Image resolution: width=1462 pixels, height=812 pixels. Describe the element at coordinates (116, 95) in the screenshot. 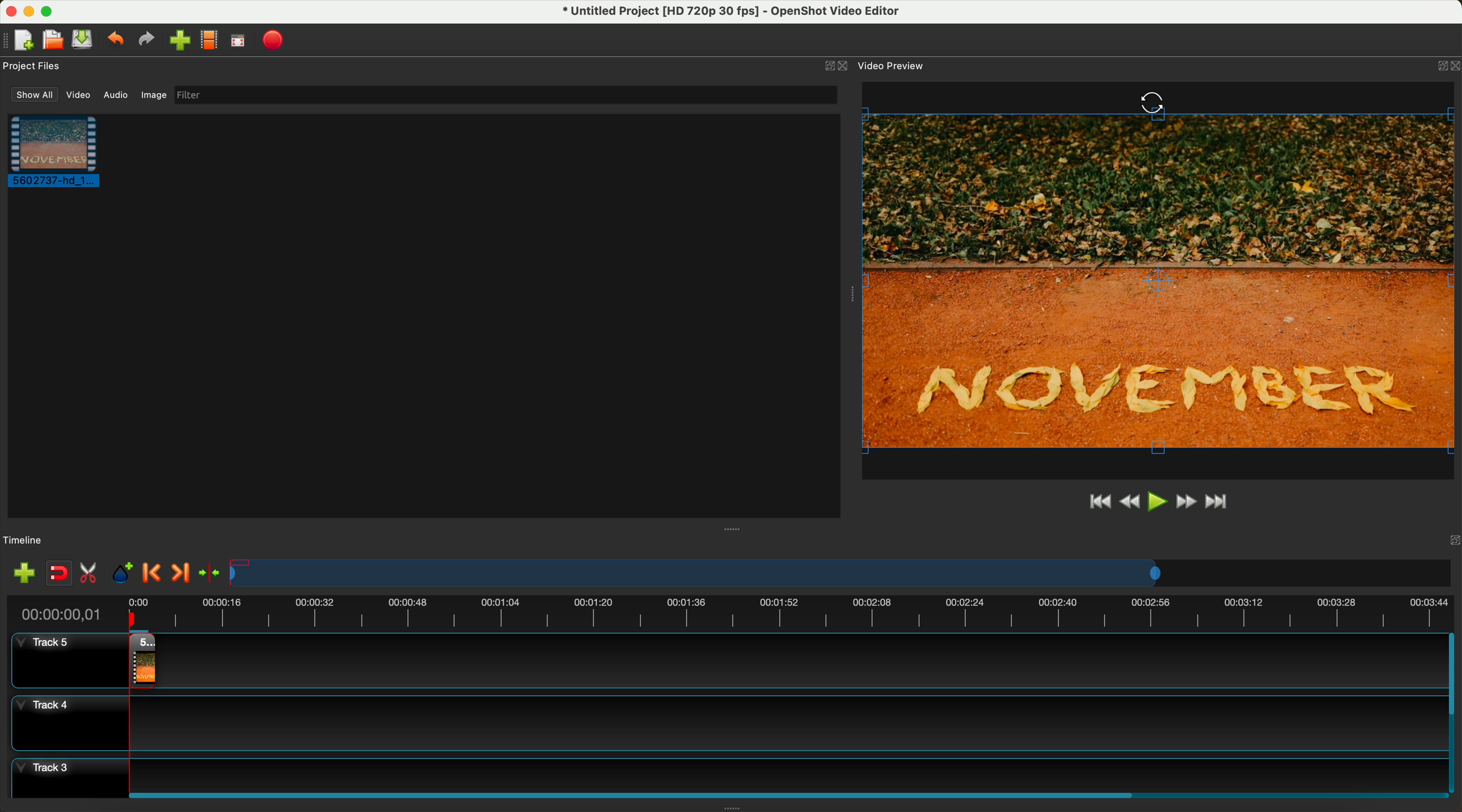

I see `audio` at that location.